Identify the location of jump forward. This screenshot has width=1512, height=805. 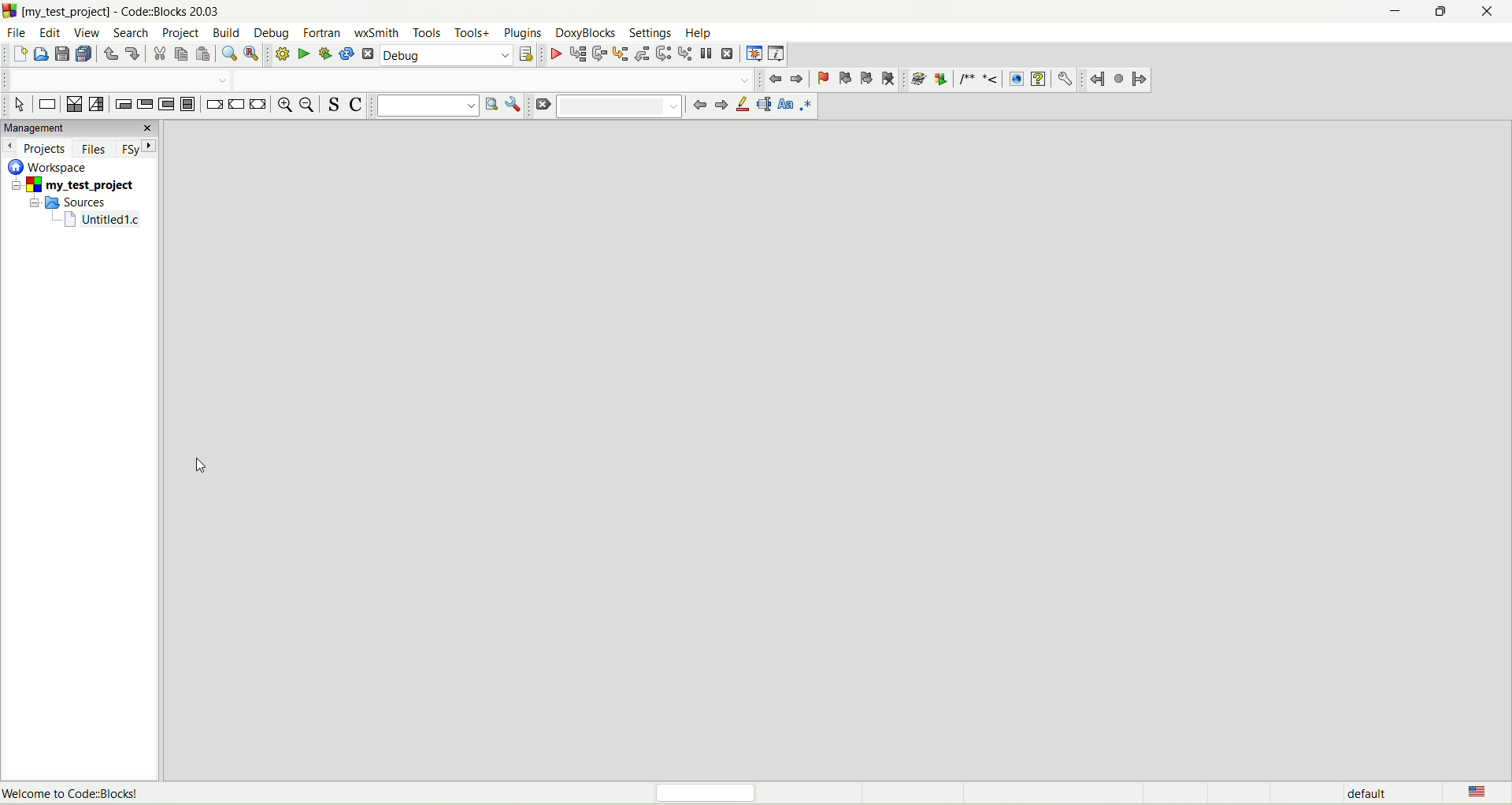
(798, 80).